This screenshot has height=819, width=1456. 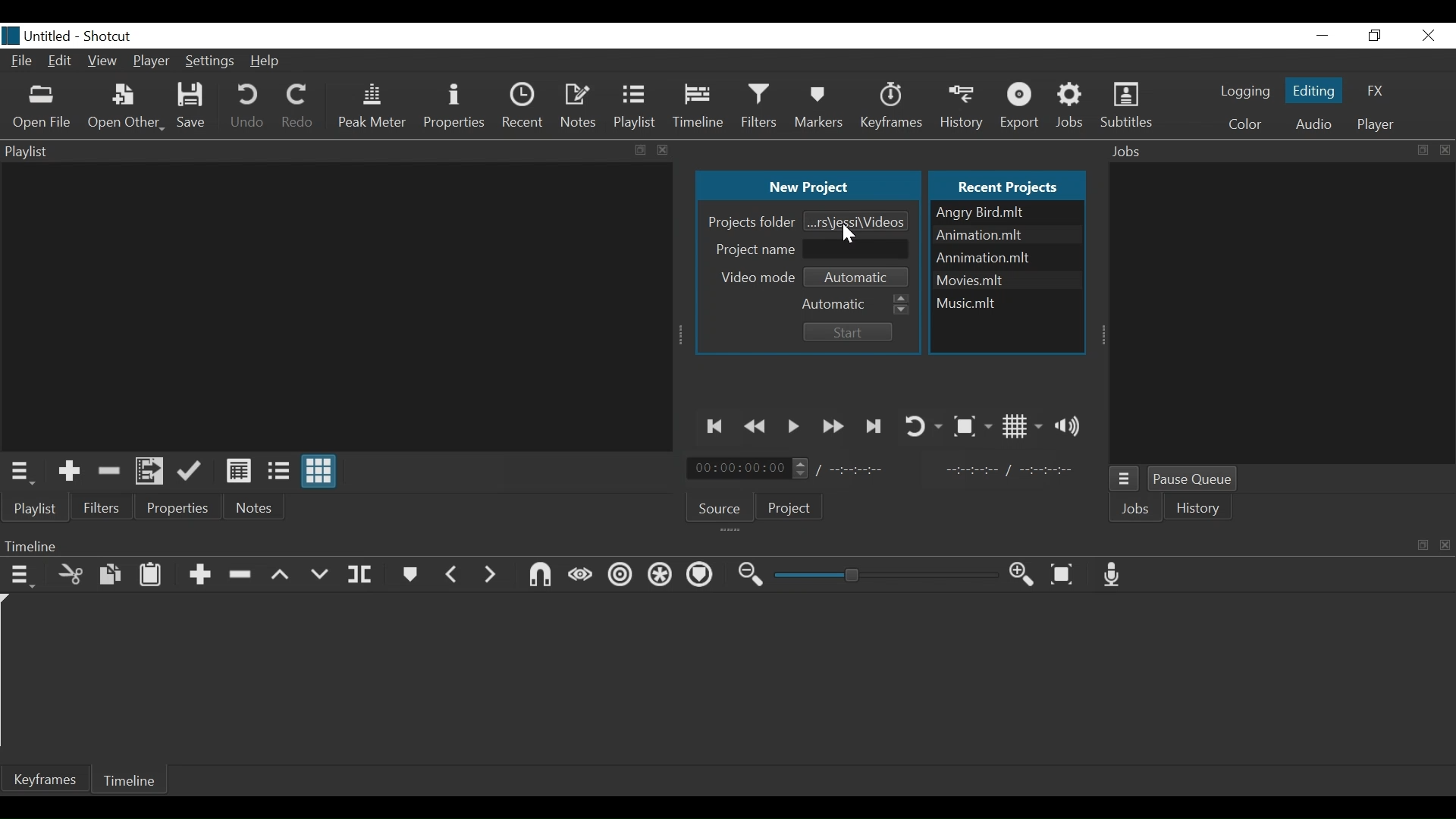 I want to click on Ripple, so click(x=620, y=578).